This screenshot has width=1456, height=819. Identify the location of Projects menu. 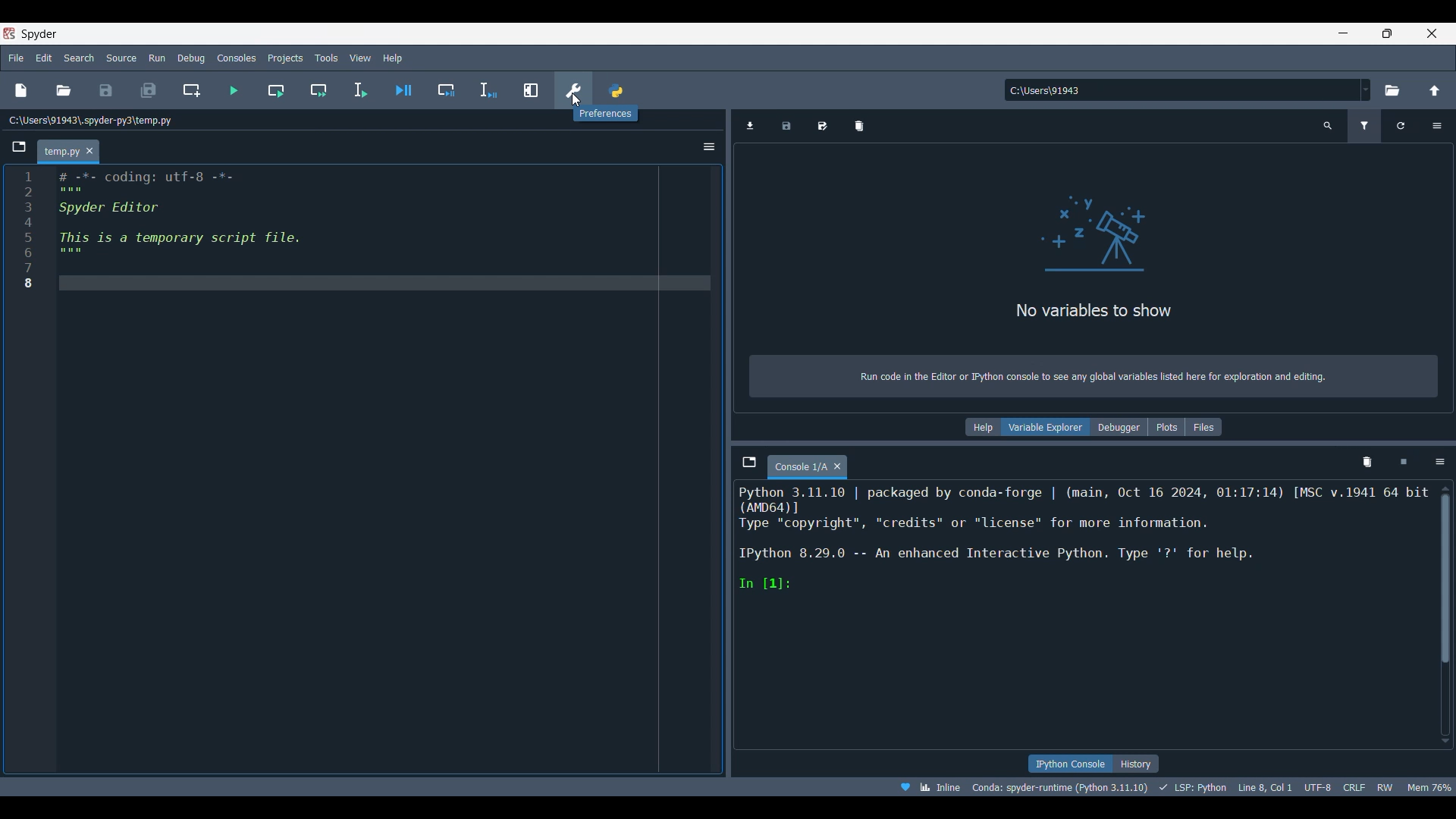
(286, 58).